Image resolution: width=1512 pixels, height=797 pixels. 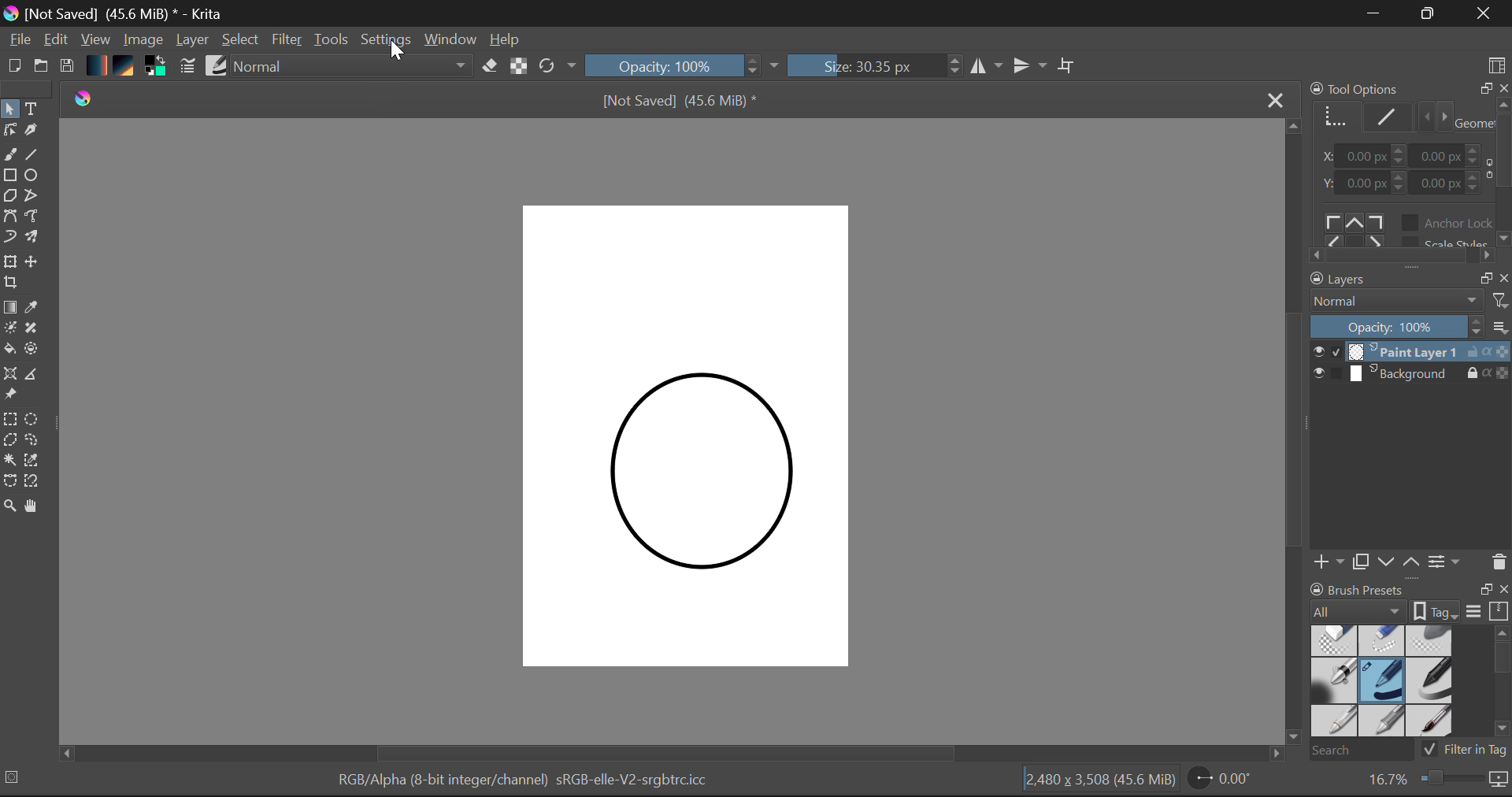 I want to click on Scroll Bar, so click(x=1293, y=423).